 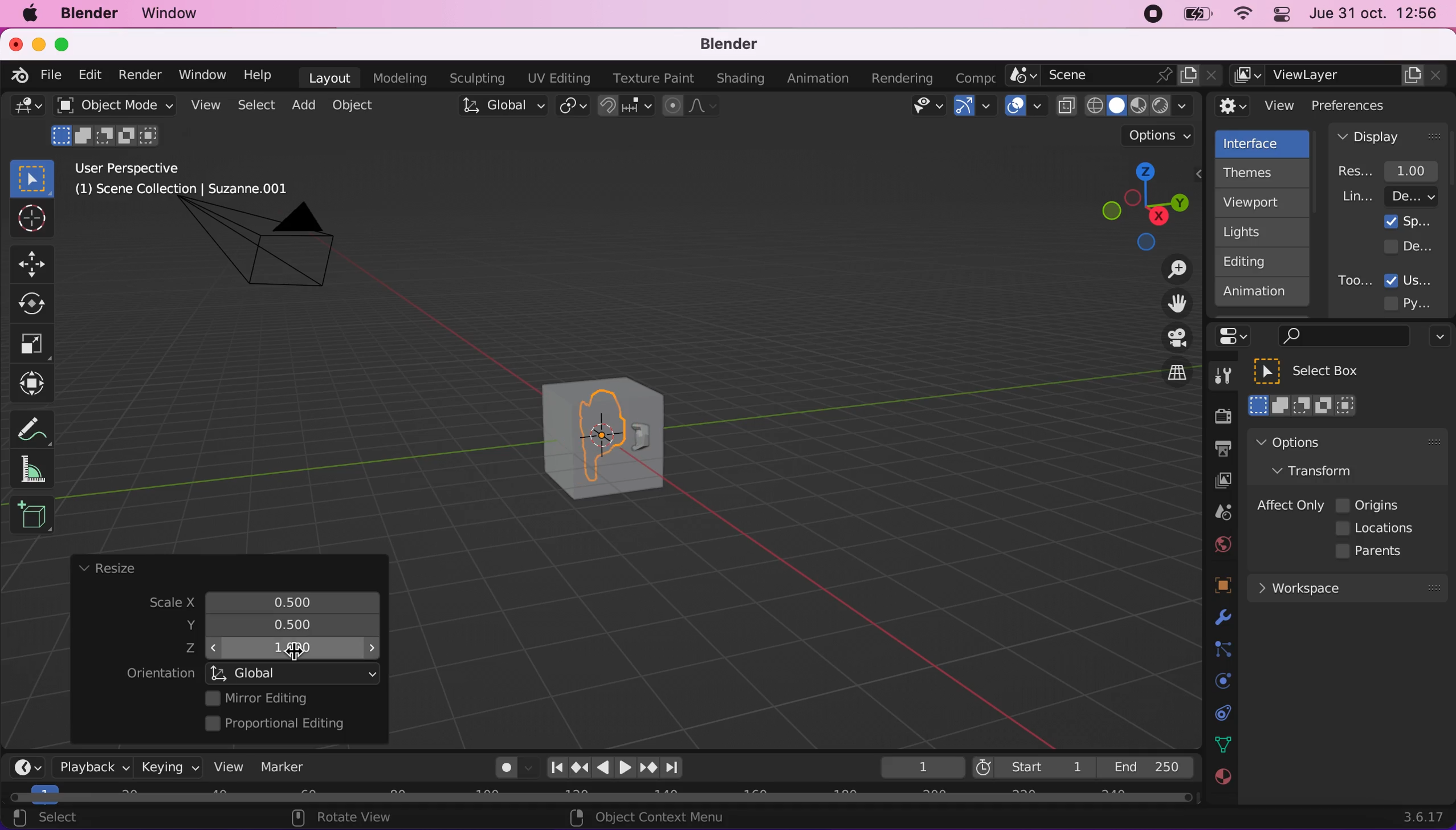 What do you see at coordinates (974, 109) in the screenshot?
I see `gizmos` at bounding box center [974, 109].